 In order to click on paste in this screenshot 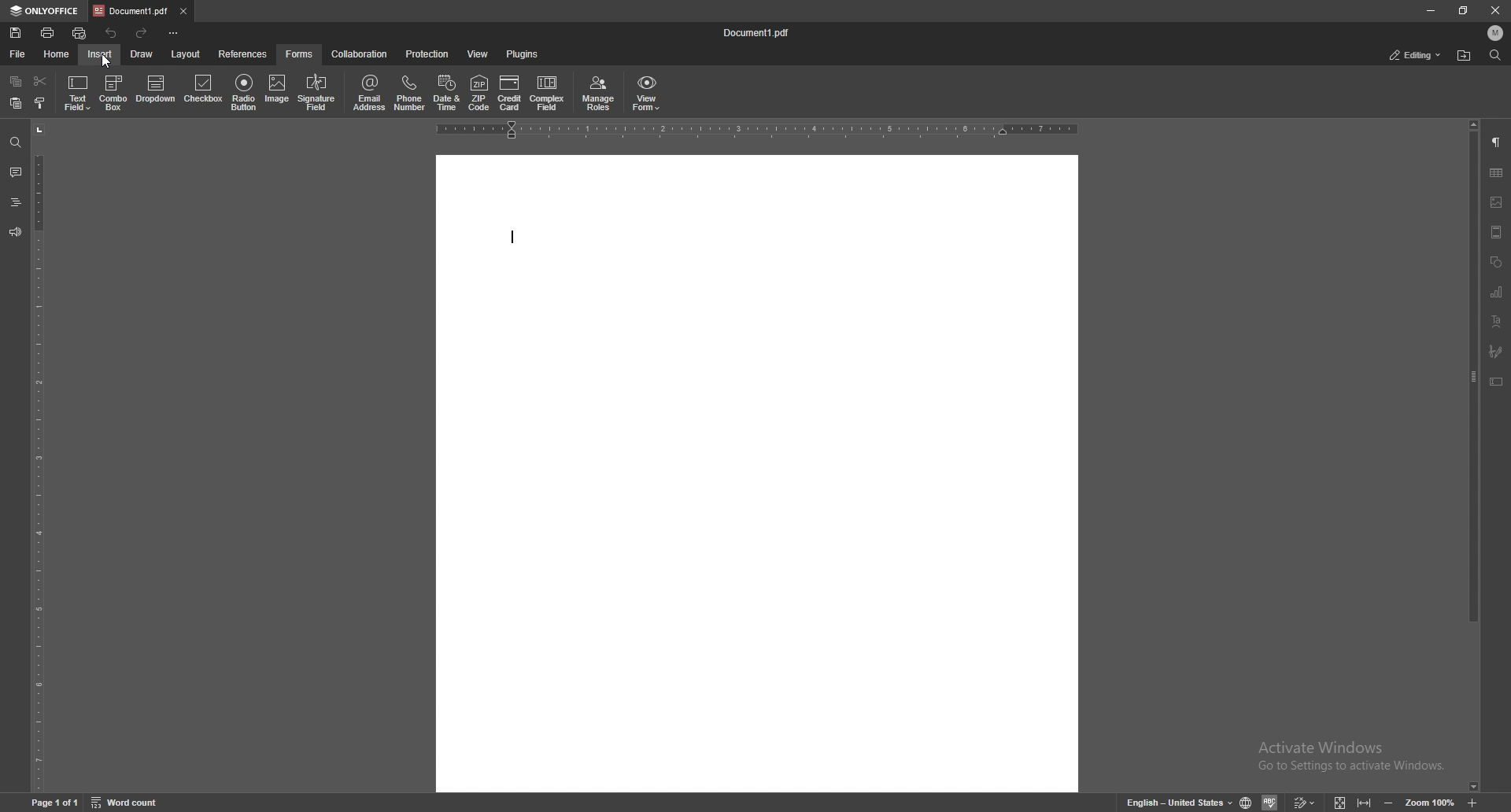, I will do `click(16, 103)`.